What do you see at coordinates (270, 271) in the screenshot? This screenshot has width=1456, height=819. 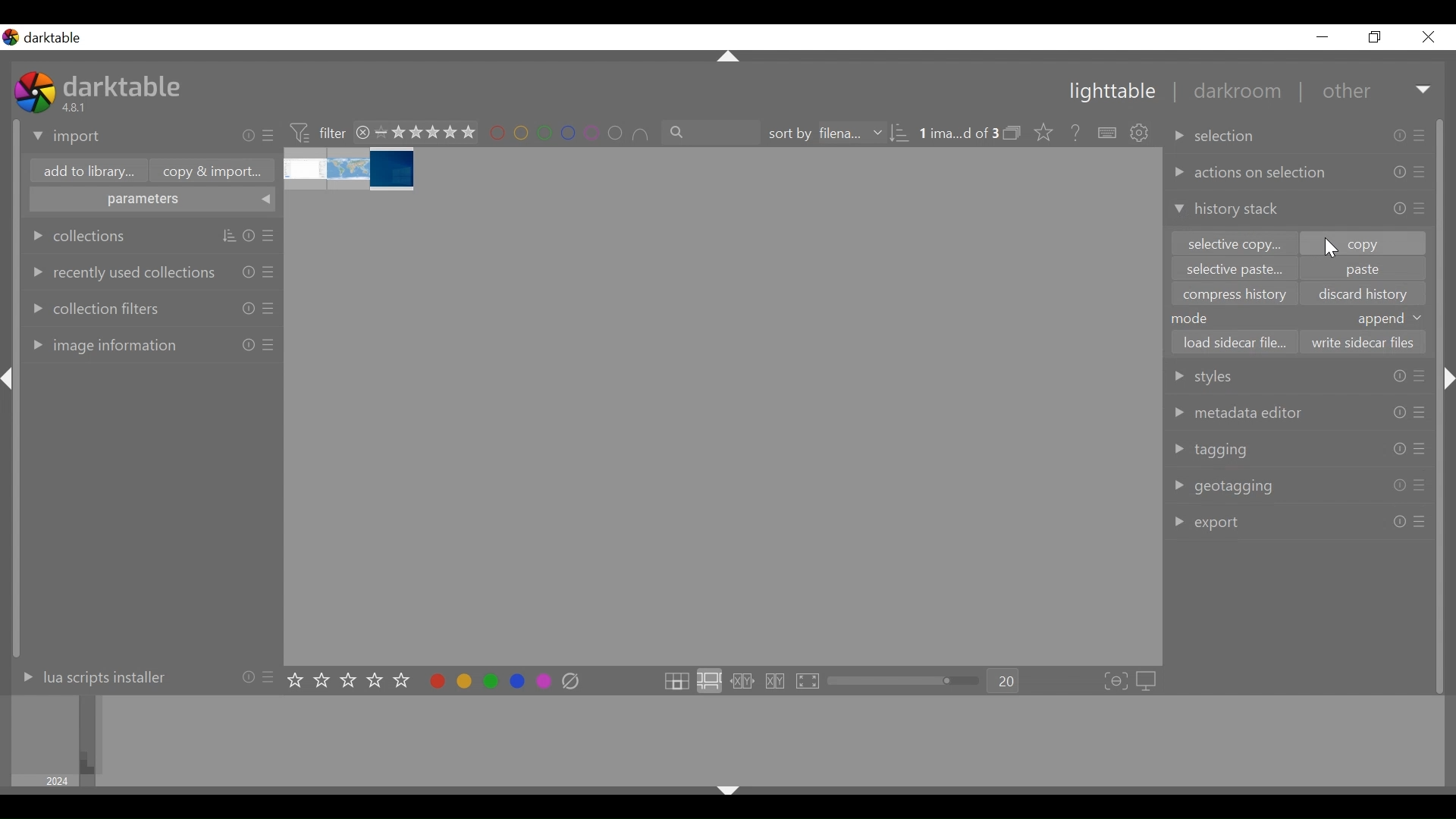 I see `presets` at bounding box center [270, 271].